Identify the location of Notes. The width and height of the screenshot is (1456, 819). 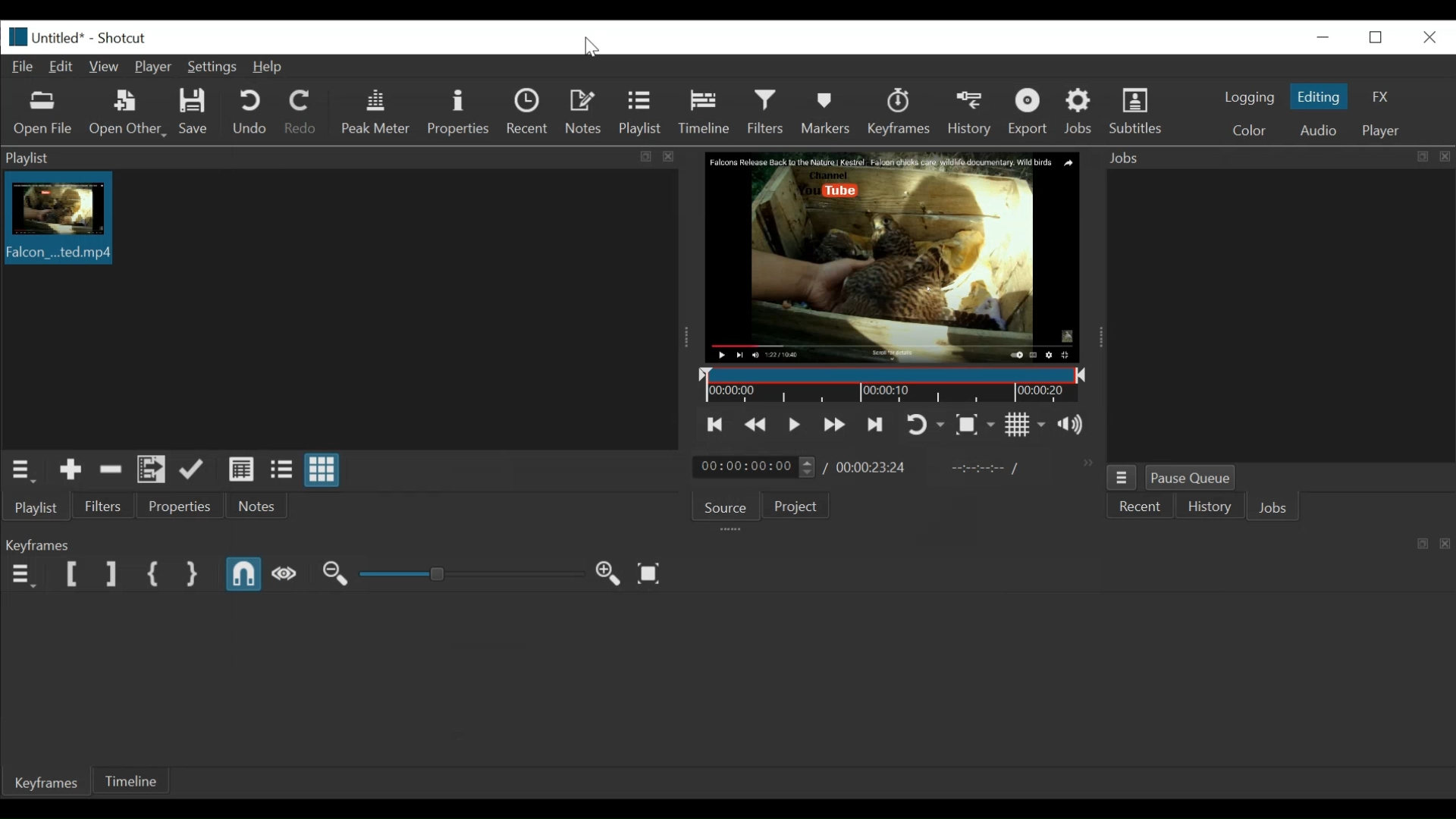
(585, 111).